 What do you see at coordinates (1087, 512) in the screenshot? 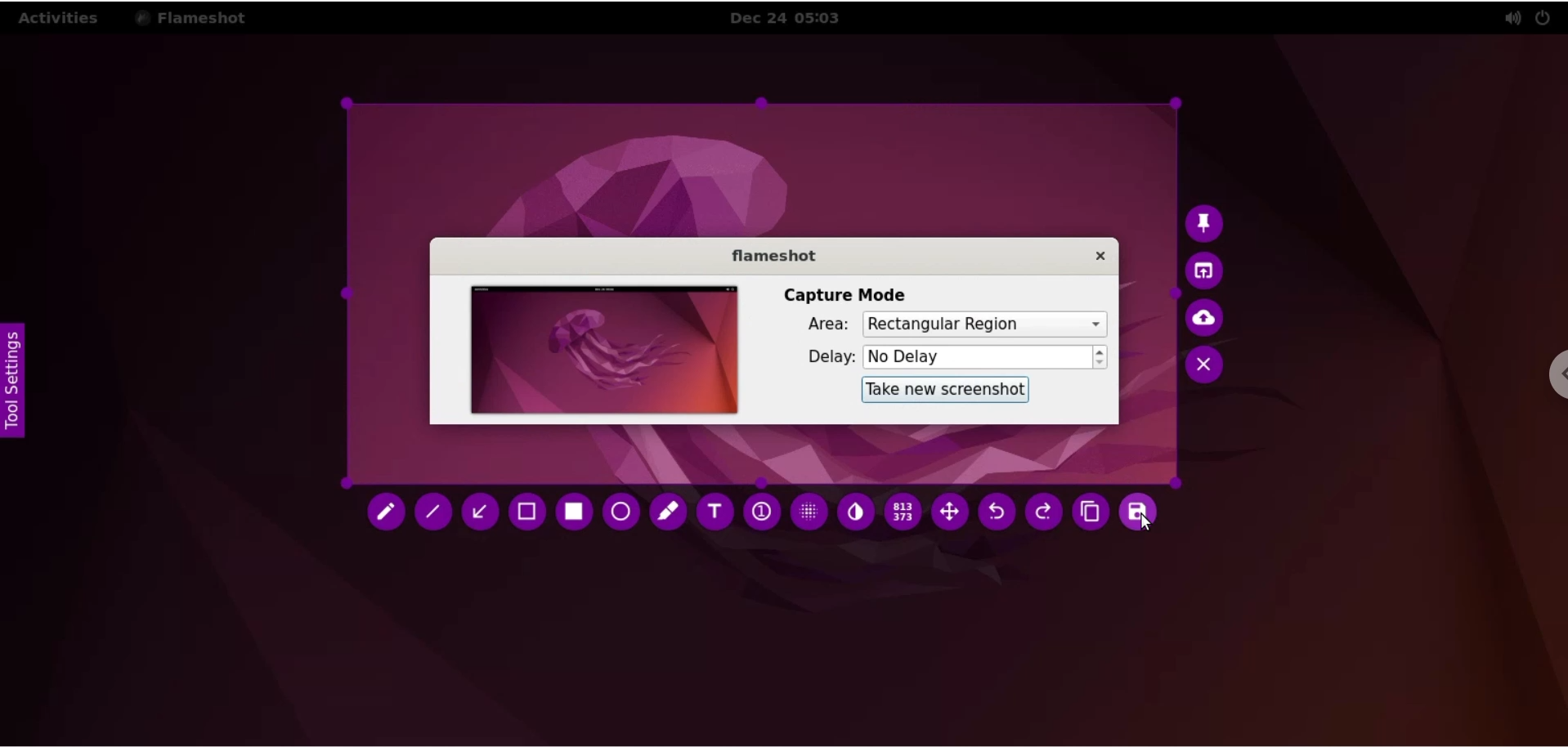
I see `copy to clipboard` at bounding box center [1087, 512].